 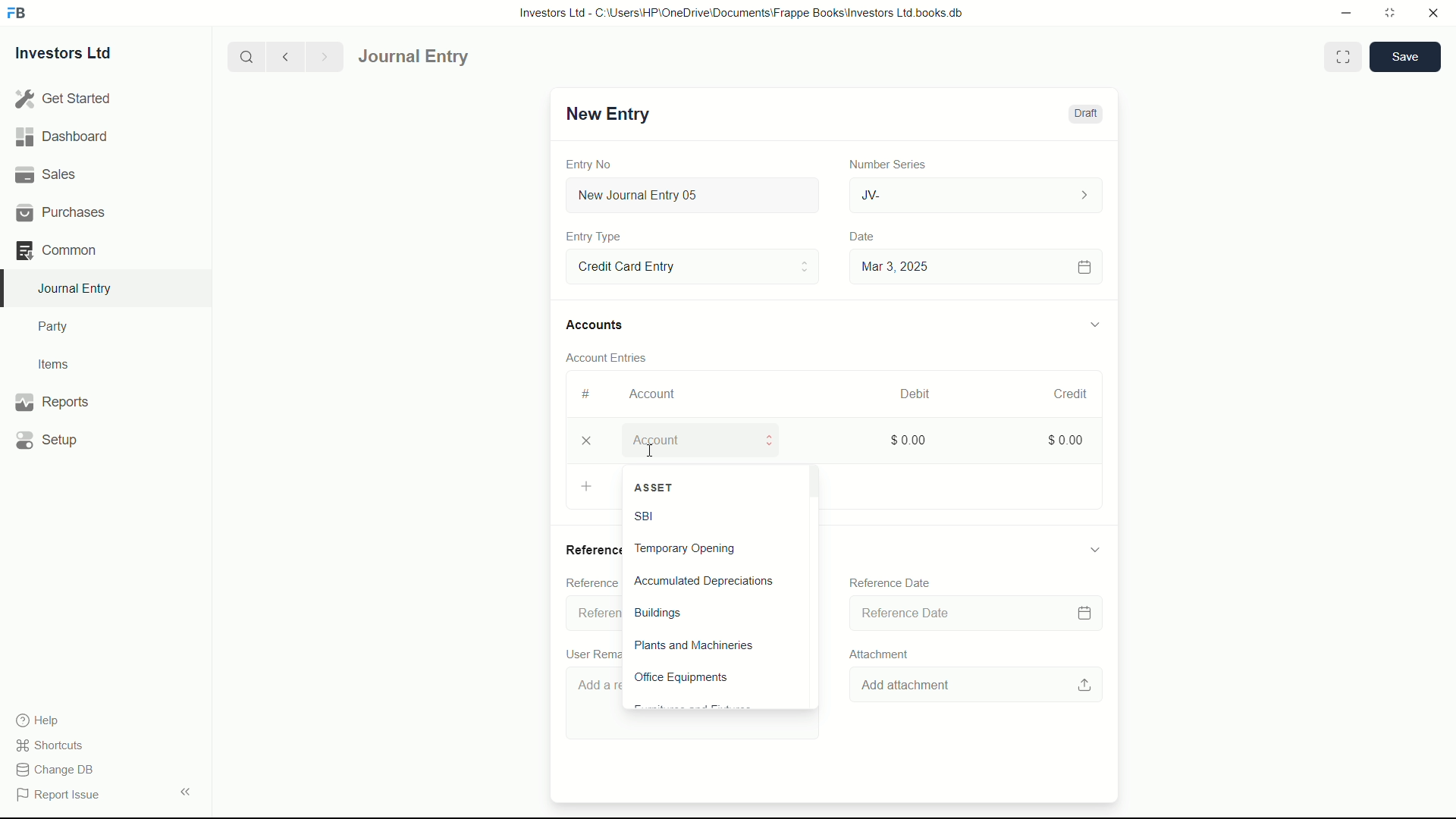 I want to click on Draft, so click(x=1084, y=114).